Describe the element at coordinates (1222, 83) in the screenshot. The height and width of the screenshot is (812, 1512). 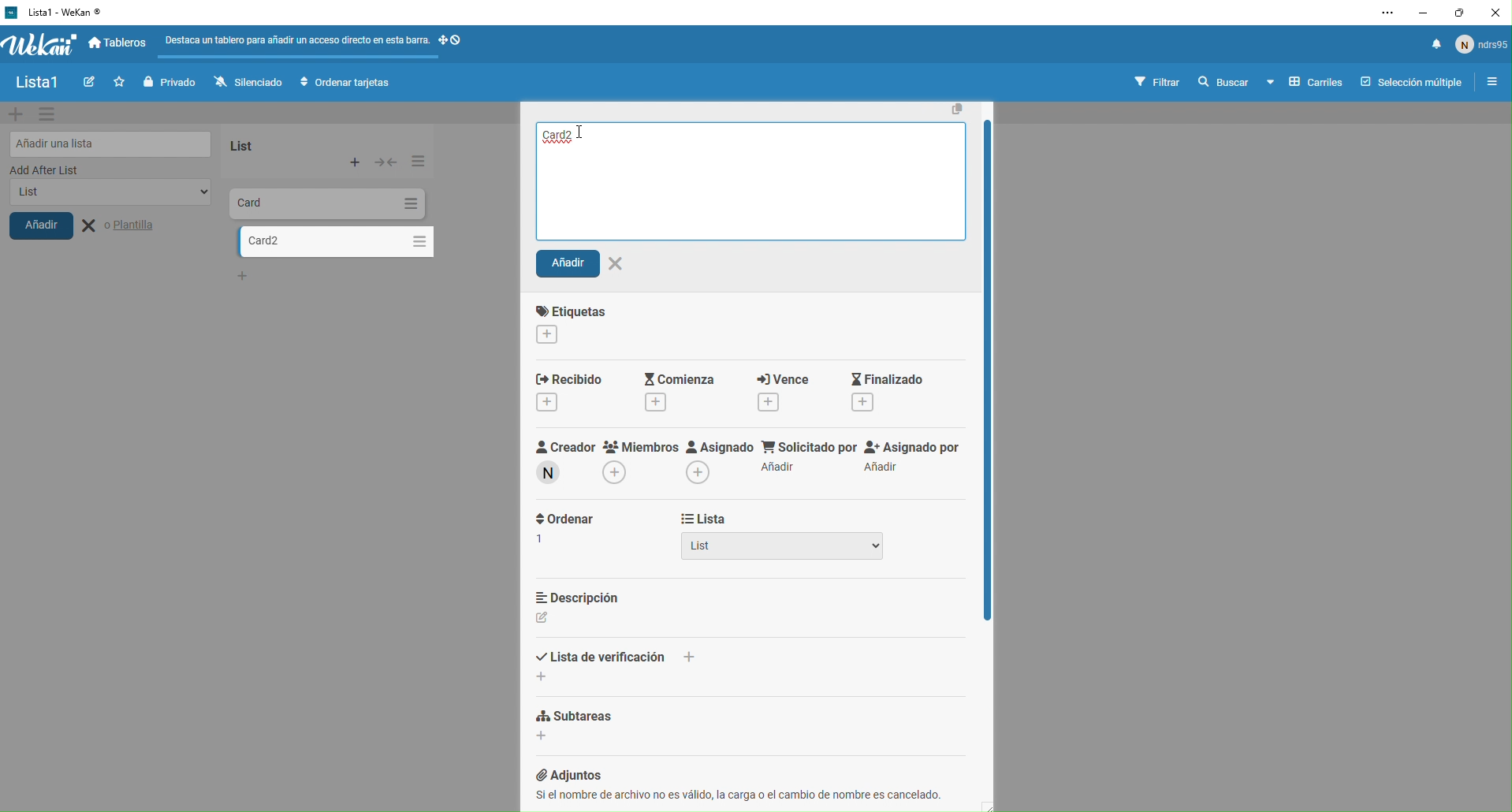
I see `buscar` at that location.